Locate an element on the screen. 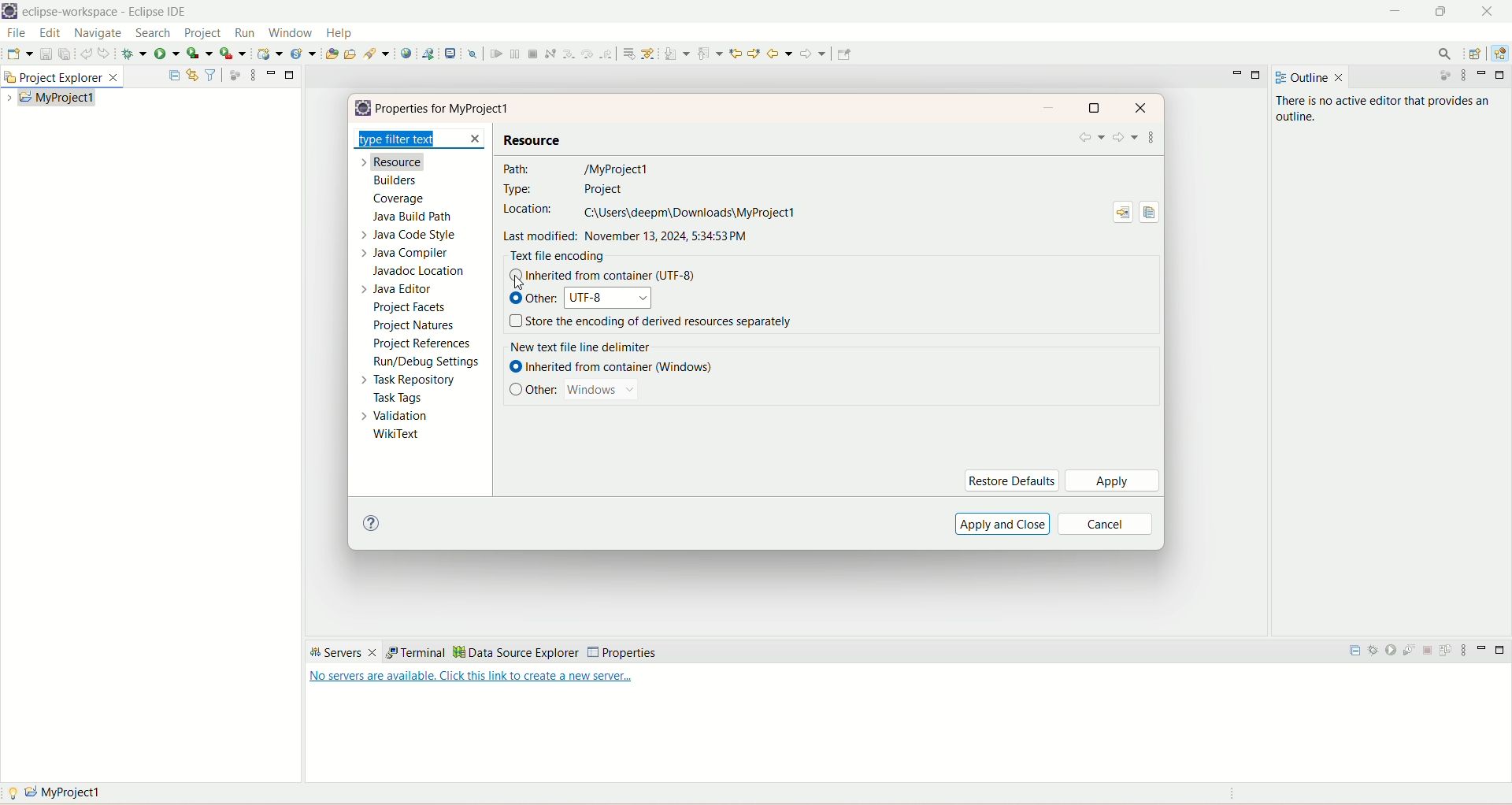 The image size is (1512, 805). task repository is located at coordinates (407, 381).